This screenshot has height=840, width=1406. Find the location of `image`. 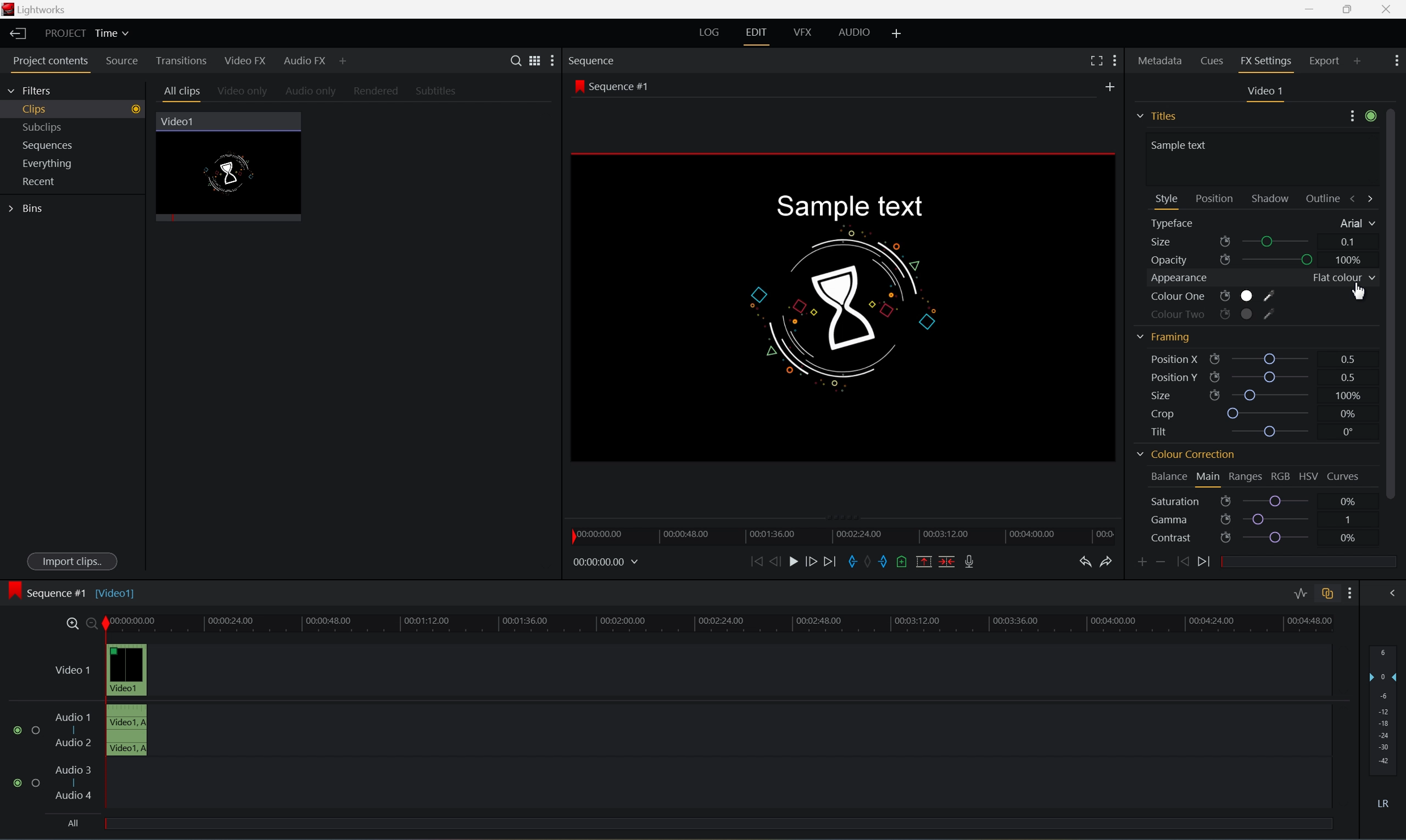

image is located at coordinates (14, 592).